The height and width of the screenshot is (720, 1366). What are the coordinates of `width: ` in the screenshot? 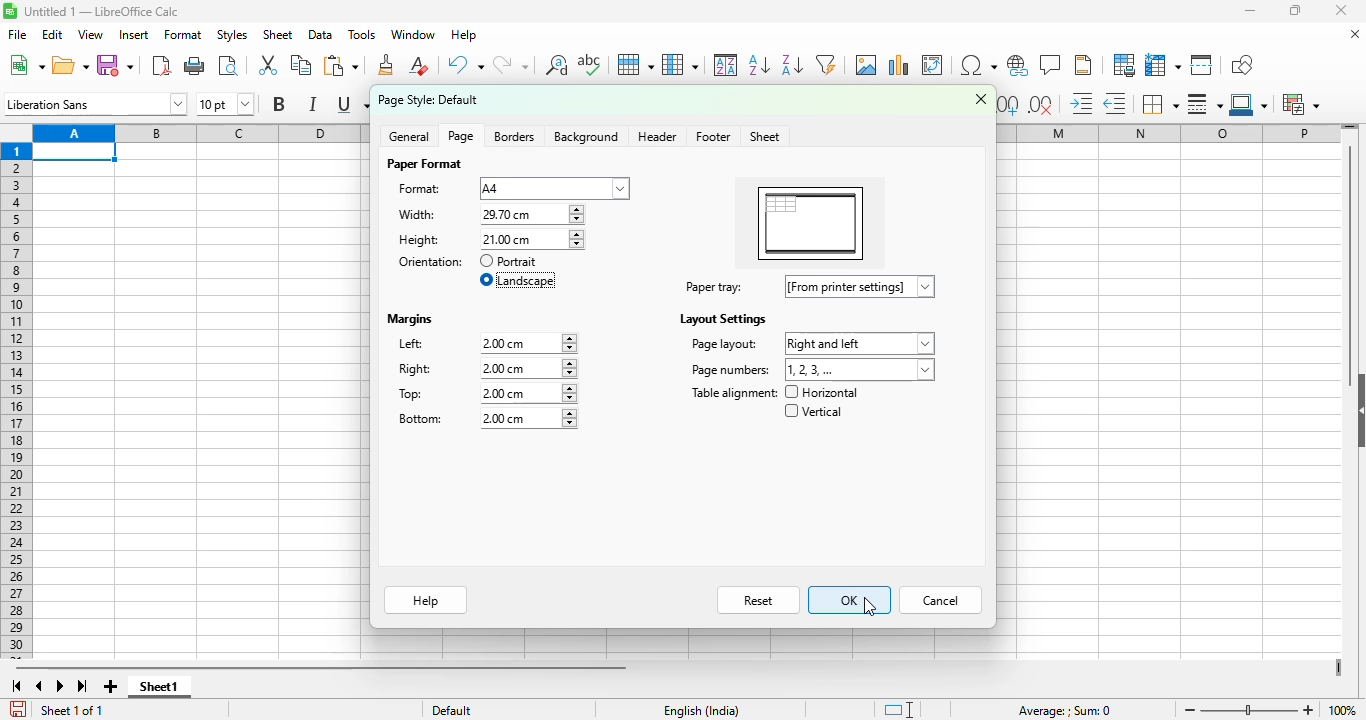 It's located at (417, 214).